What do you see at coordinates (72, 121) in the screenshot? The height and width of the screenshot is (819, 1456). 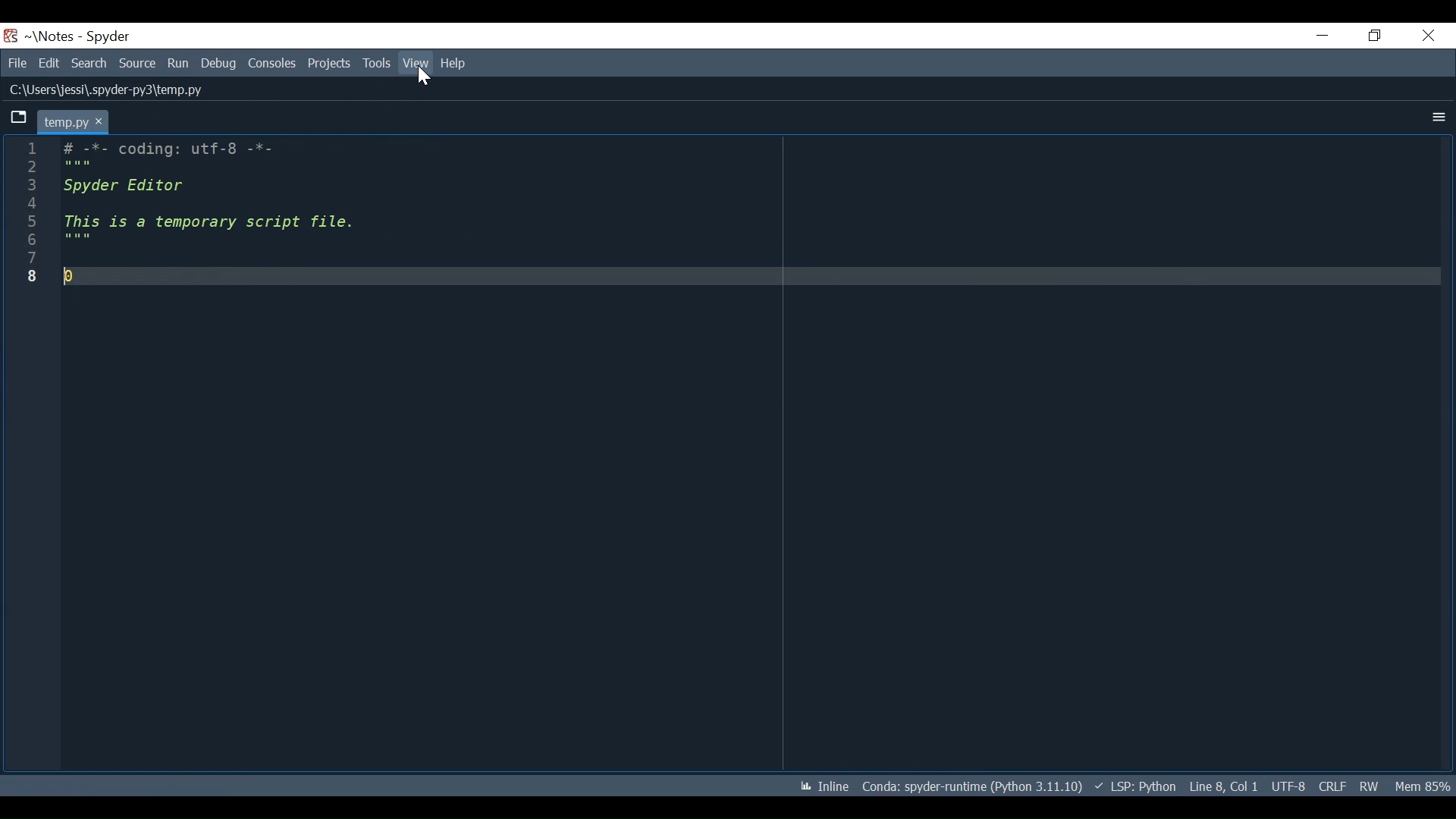 I see `temp.py` at bounding box center [72, 121].